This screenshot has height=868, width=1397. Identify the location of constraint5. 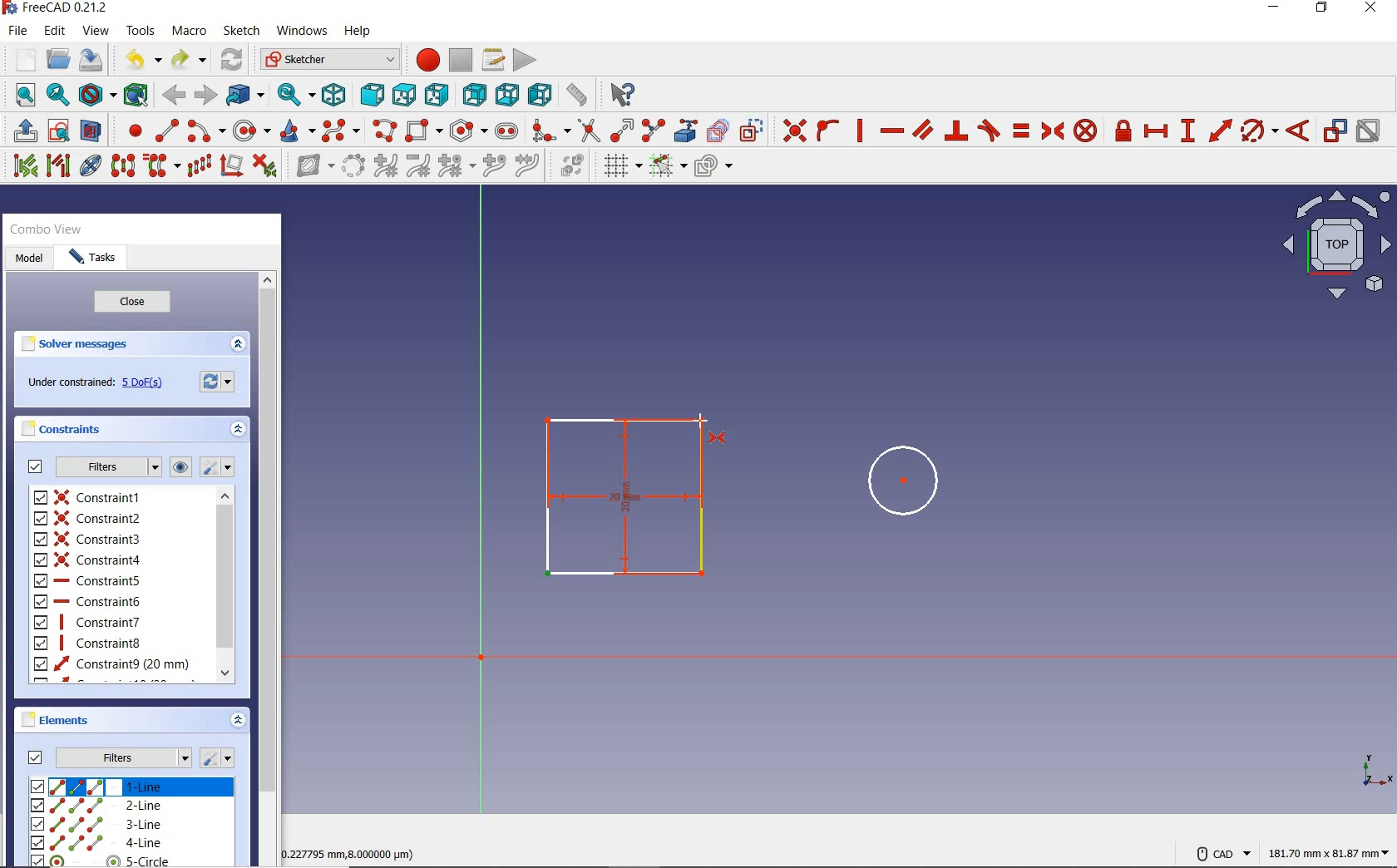
(87, 580).